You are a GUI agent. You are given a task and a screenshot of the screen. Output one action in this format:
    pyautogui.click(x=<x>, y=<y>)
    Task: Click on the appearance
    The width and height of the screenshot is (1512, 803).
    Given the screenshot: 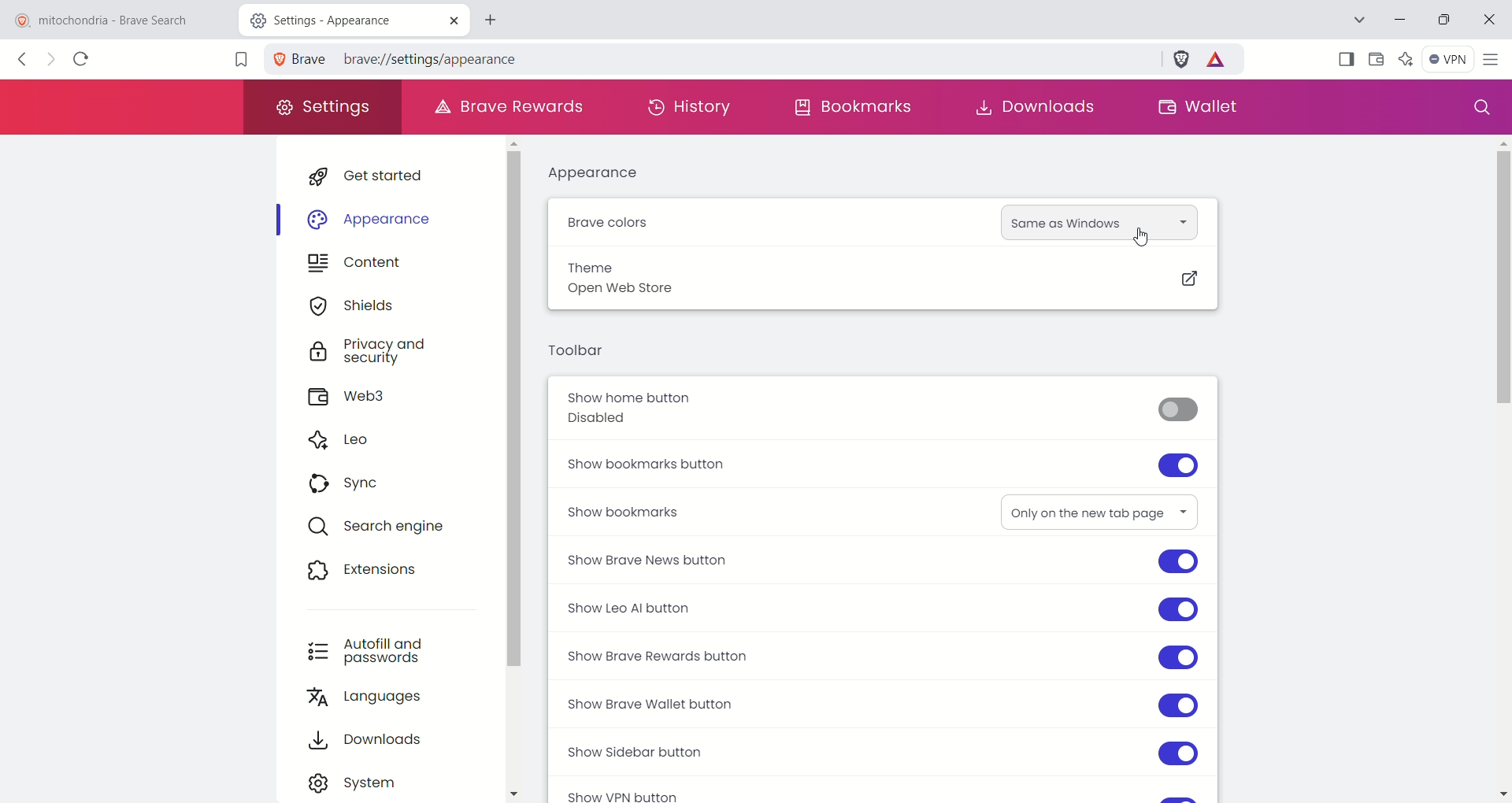 What is the action you would take?
    pyautogui.click(x=380, y=220)
    